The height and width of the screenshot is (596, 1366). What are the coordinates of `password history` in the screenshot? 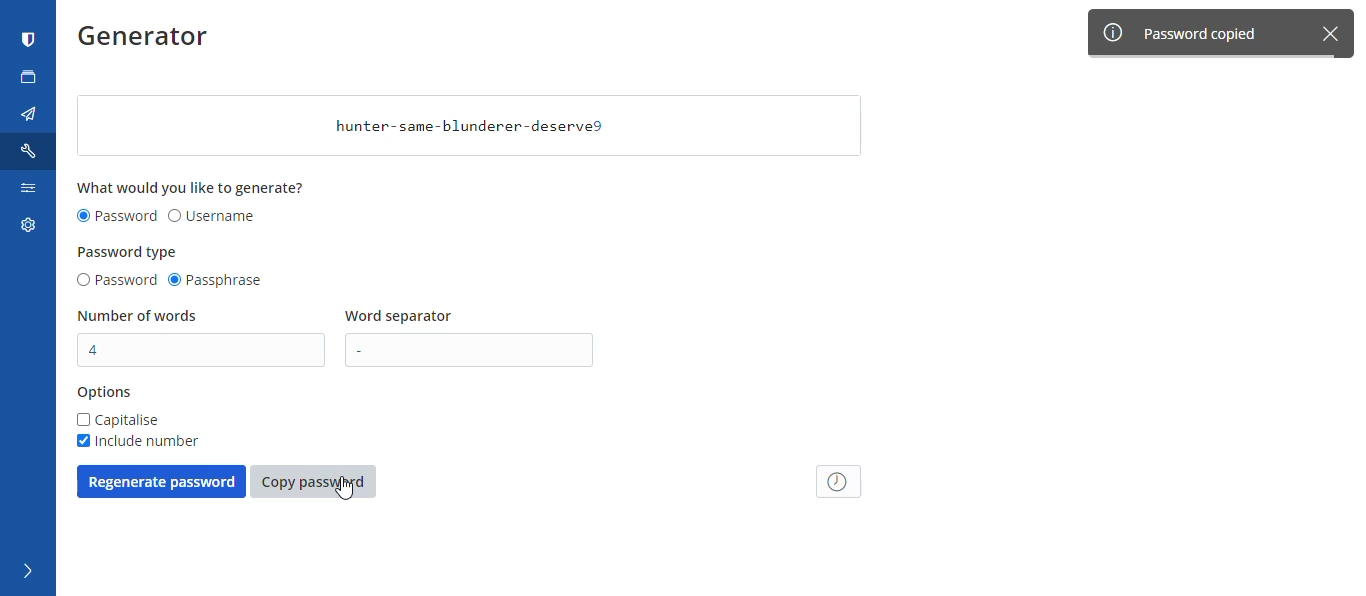 It's located at (840, 481).